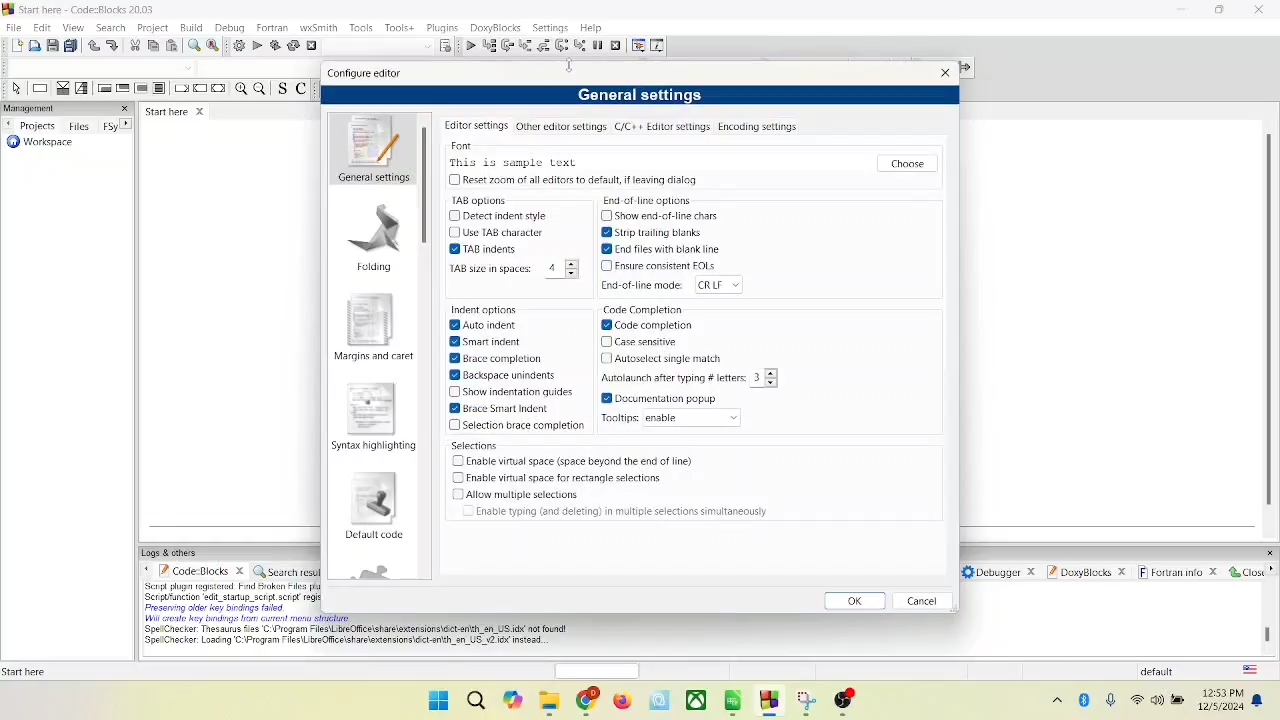 Image resolution: width=1280 pixels, height=720 pixels. Describe the element at coordinates (1222, 701) in the screenshot. I see `time and date` at that location.